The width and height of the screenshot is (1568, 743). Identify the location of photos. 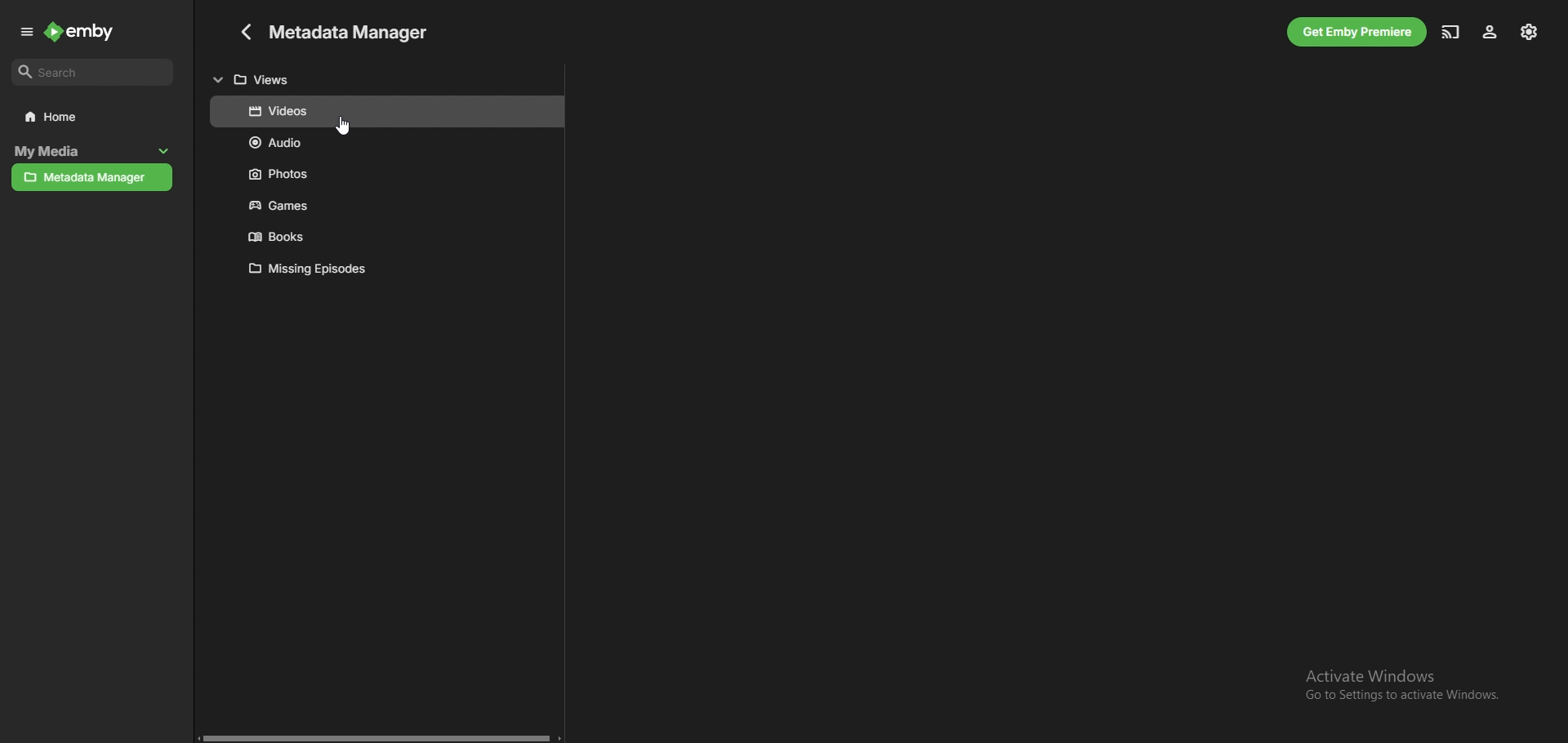
(385, 172).